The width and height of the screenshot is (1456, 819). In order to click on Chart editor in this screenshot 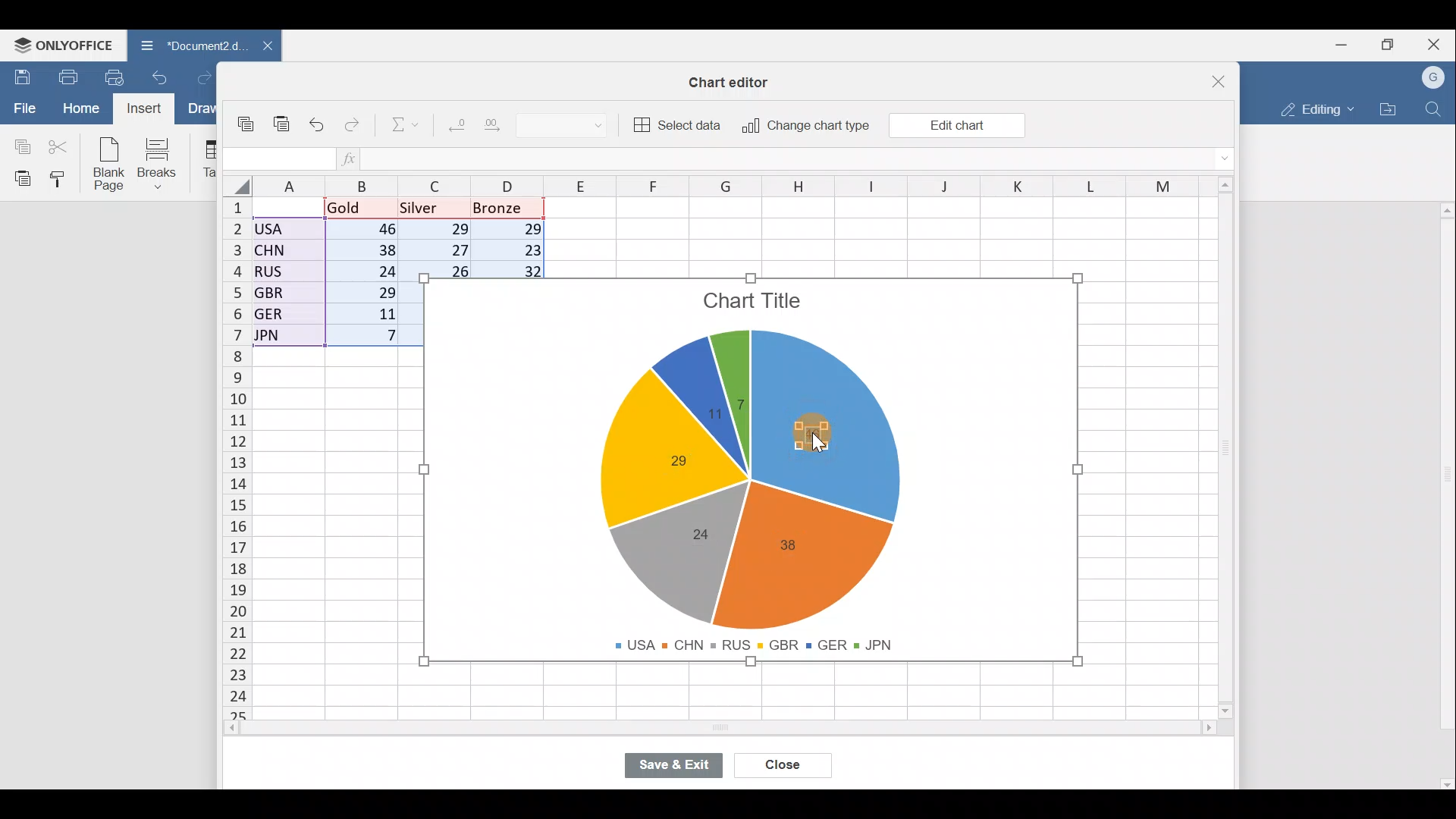, I will do `click(732, 82)`.